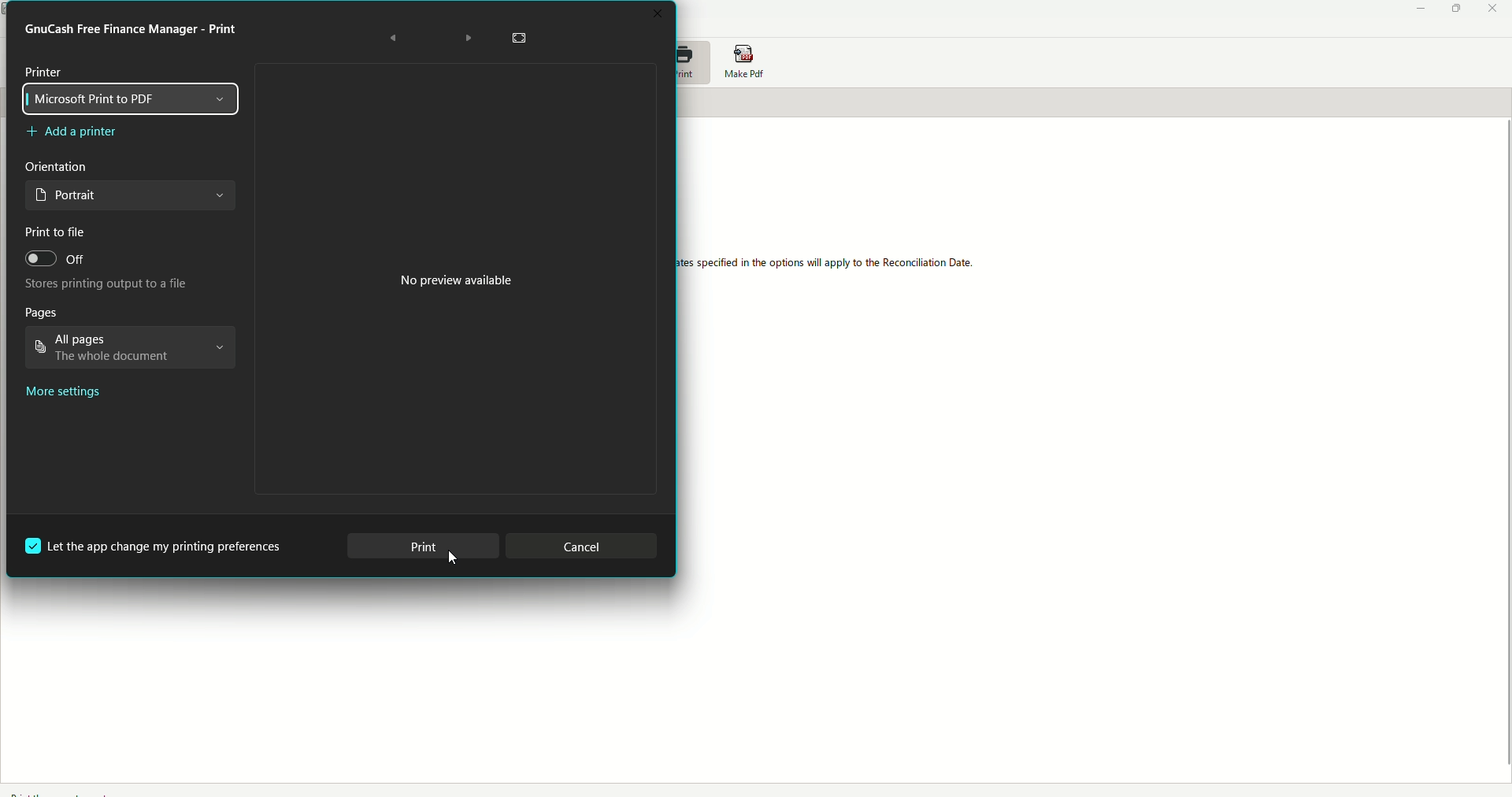 Image resolution: width=1512 pixels, height=797 pixels. What do you see at coordinates (832, 259) in the screenshot?
I see `The reconcile report is designed to be similar to the formal reconciliation tool. Please select the account from Report Options. Please note the dates specified in the options will apply to the reconciliation data` at bounding box center [832, 259].